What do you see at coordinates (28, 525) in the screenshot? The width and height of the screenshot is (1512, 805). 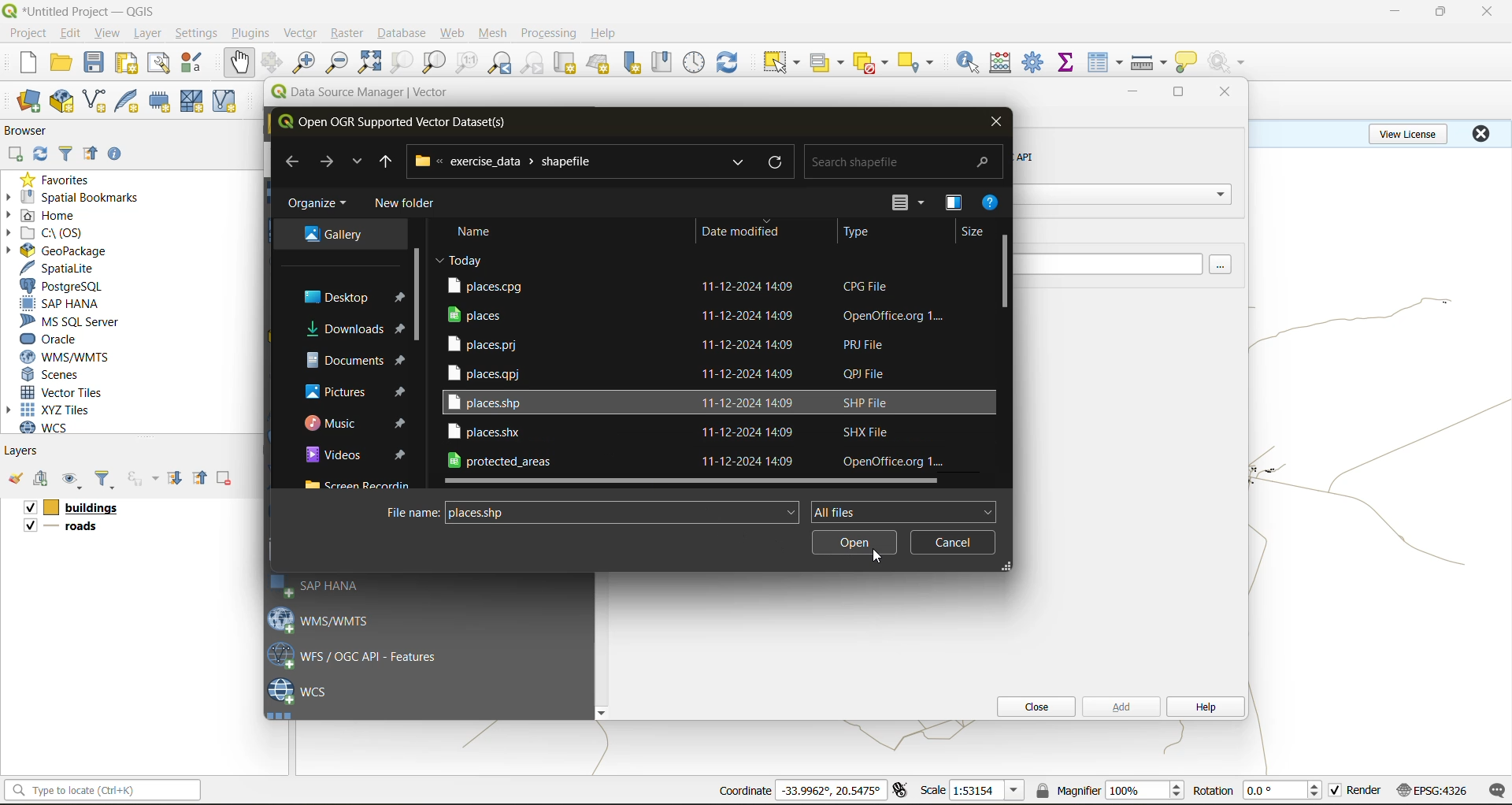 I see `checkbox` at bounding box center [28, 525].